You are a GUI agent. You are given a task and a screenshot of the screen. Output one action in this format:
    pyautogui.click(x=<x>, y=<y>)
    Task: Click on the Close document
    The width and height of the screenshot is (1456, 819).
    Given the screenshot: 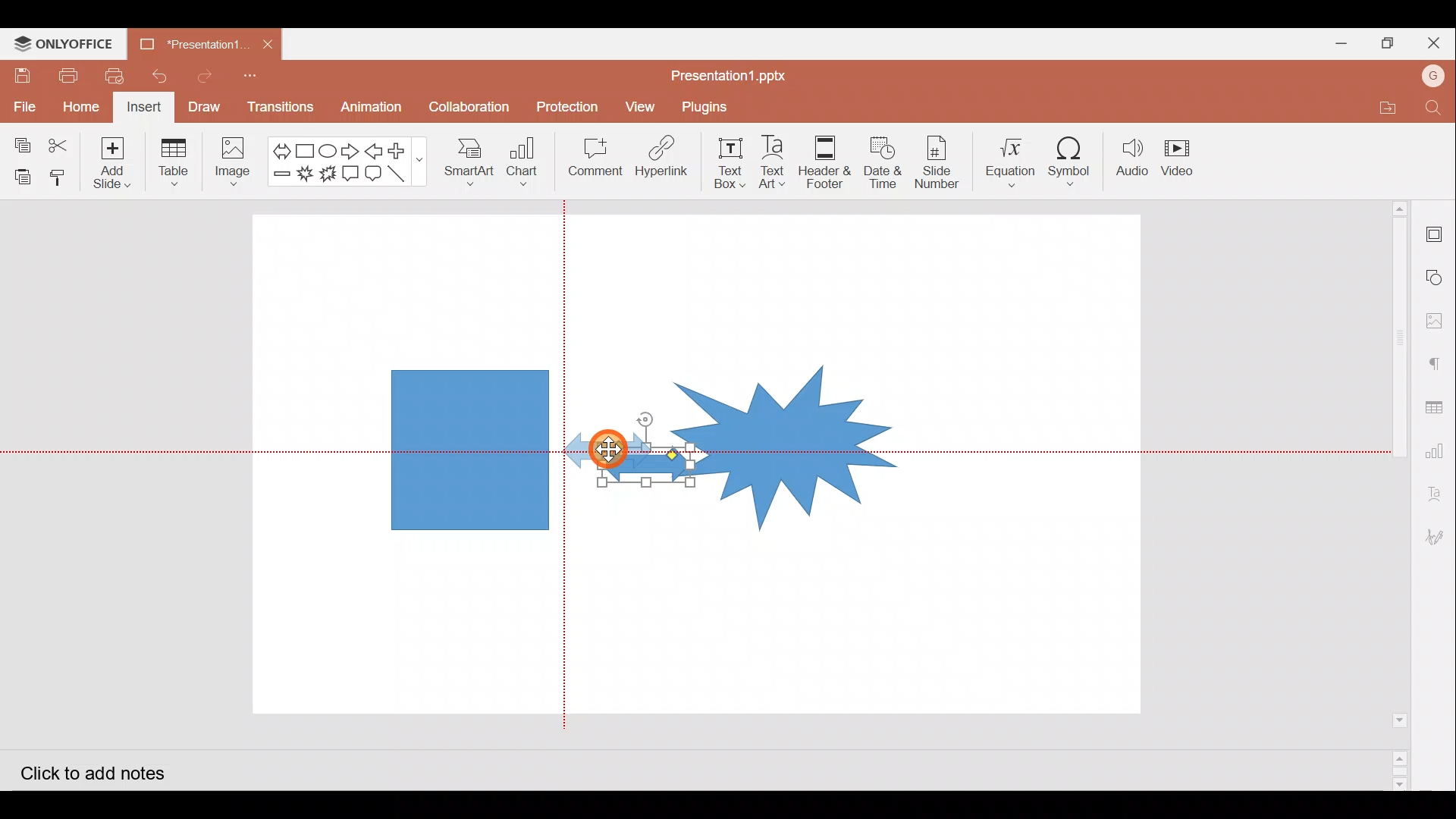 What is the action you would take?
    pyautogui.click(x=272, y=46)
    